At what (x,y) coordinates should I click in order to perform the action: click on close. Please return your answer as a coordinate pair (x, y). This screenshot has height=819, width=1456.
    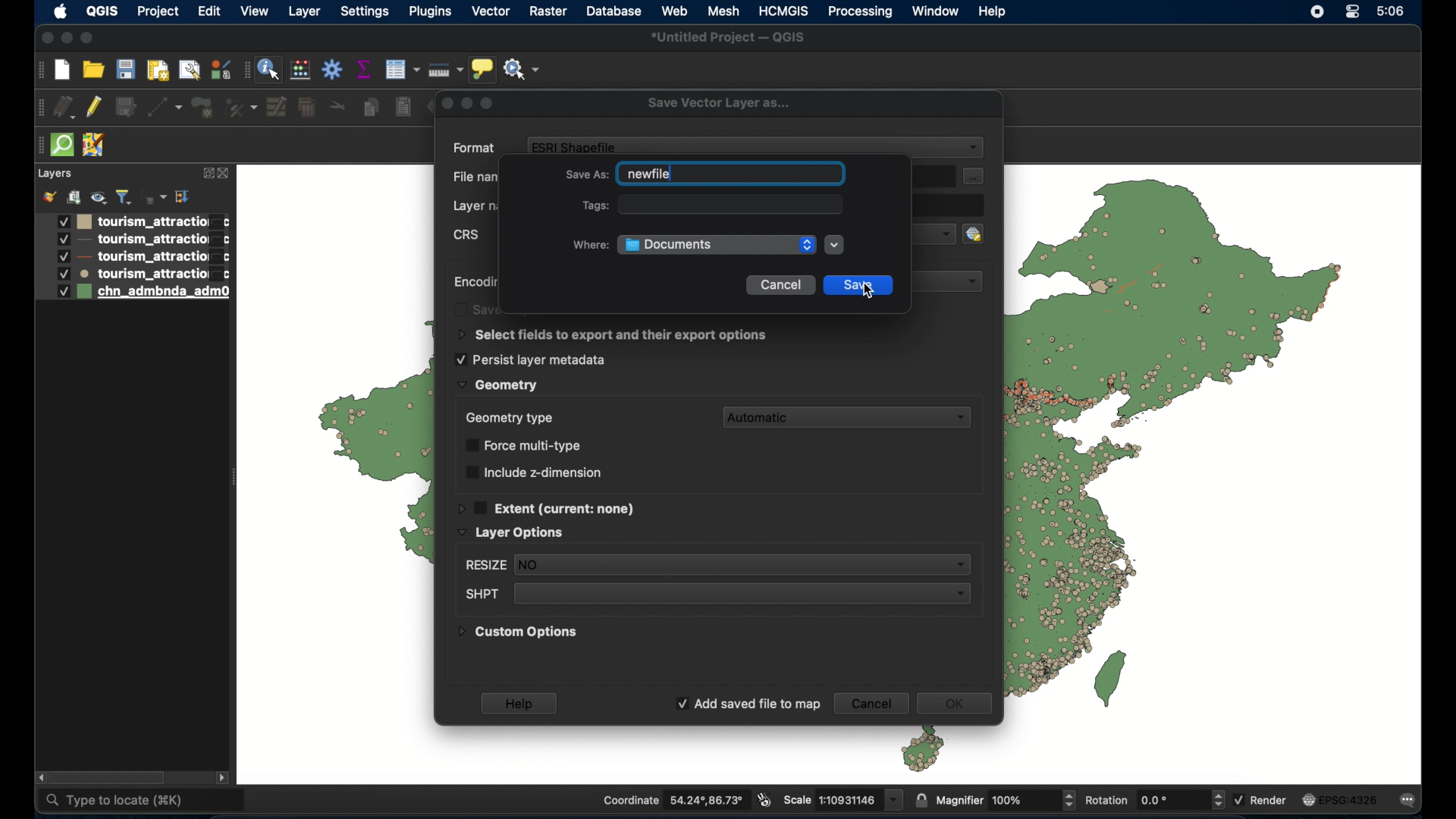
    Looking at the image, I should click on (45, 38).